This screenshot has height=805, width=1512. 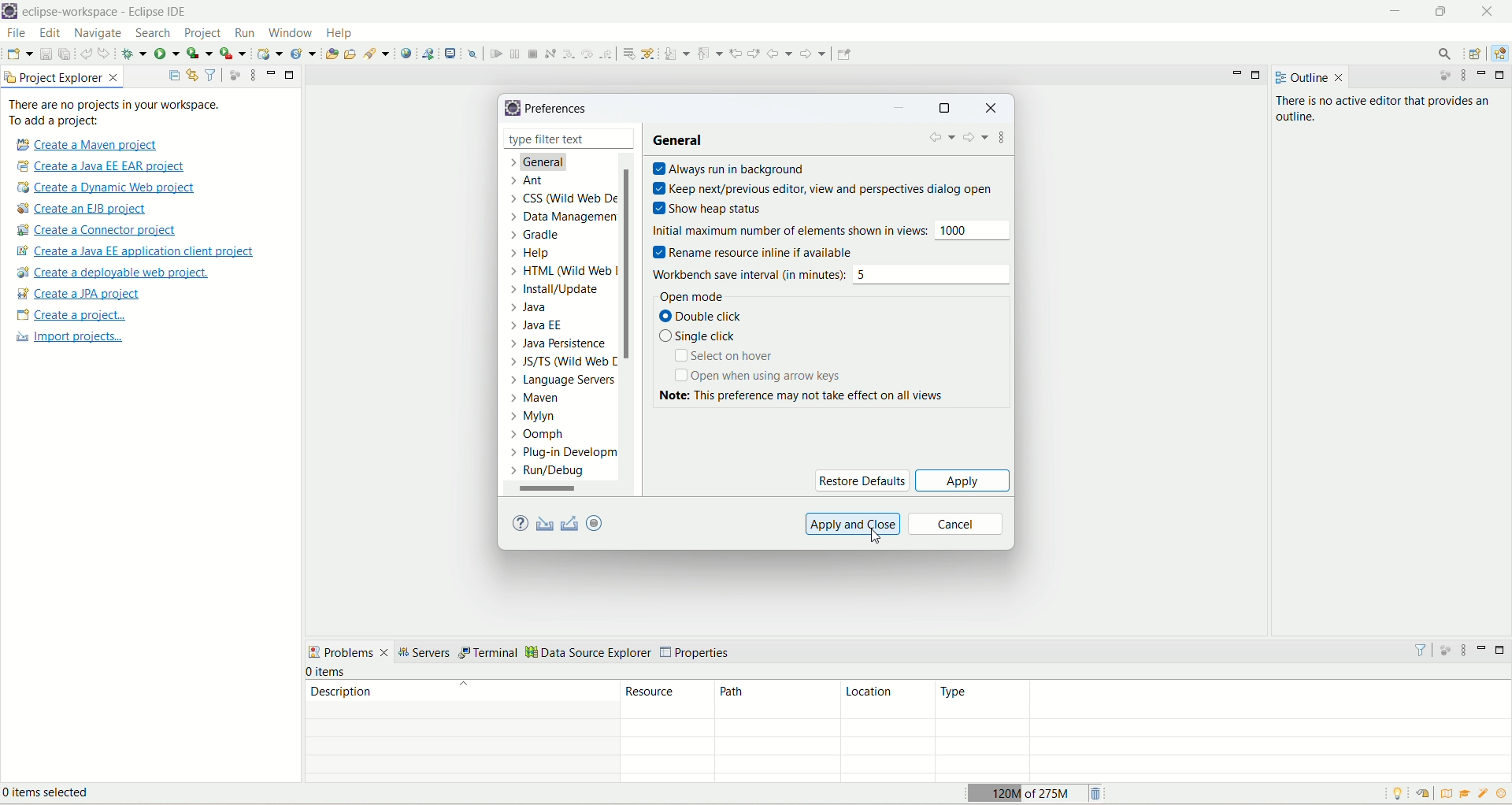 I want to click on run last tool, so click(x=232, y=54).